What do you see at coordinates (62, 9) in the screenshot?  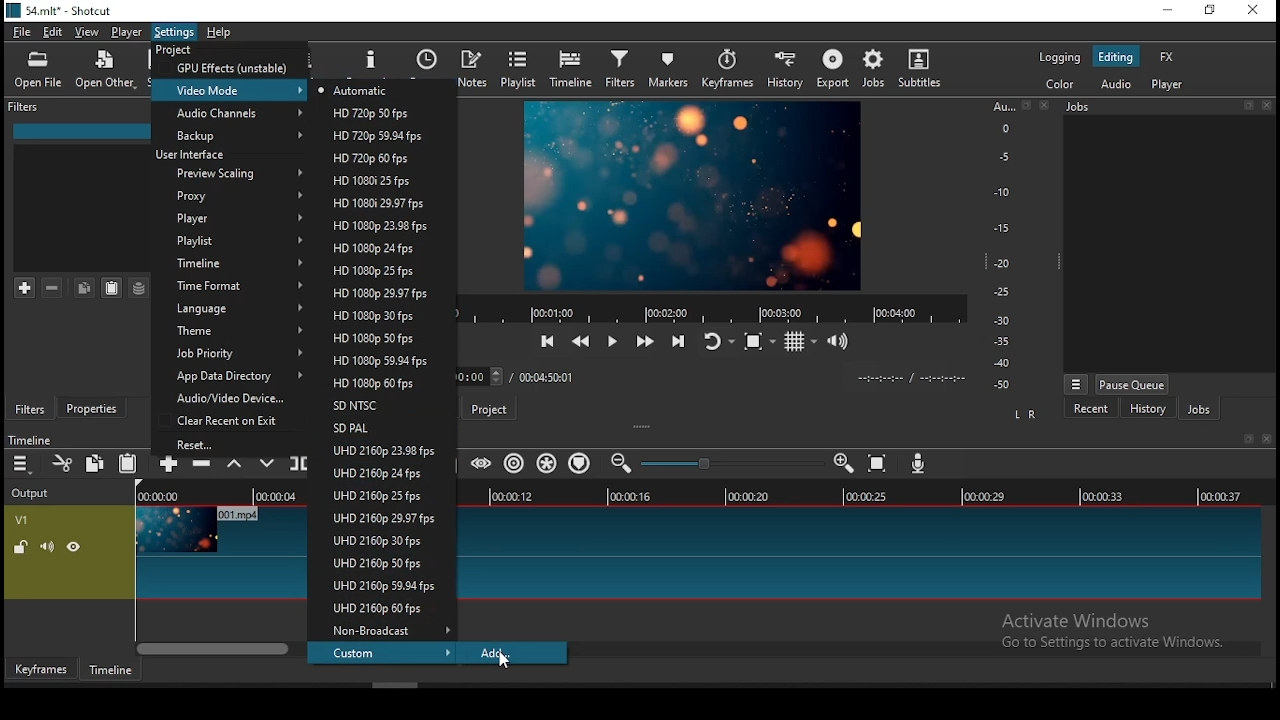 I see `icon and file name` at bounding box center [62, 9].